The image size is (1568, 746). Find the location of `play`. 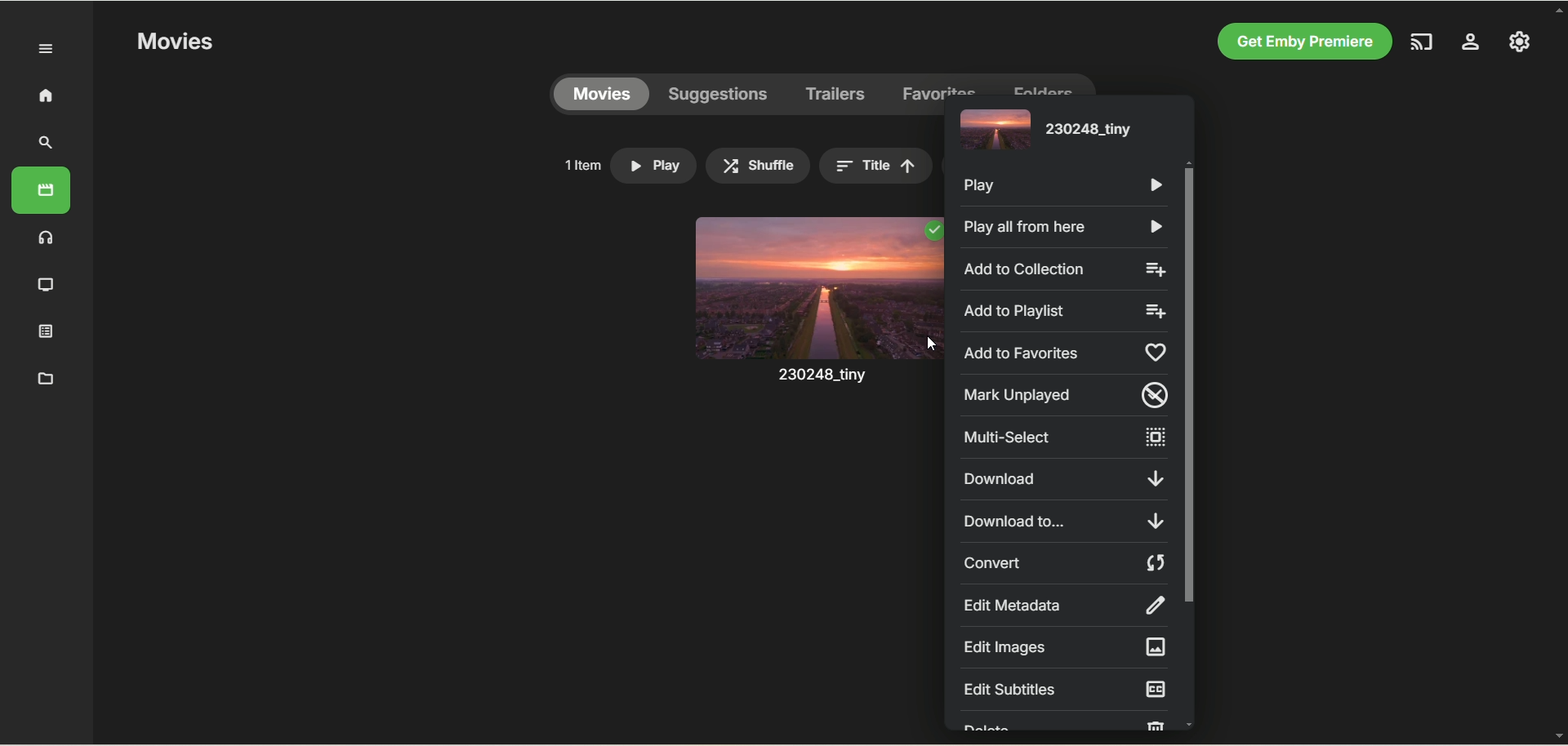

play is located at coordinates (653, 166).